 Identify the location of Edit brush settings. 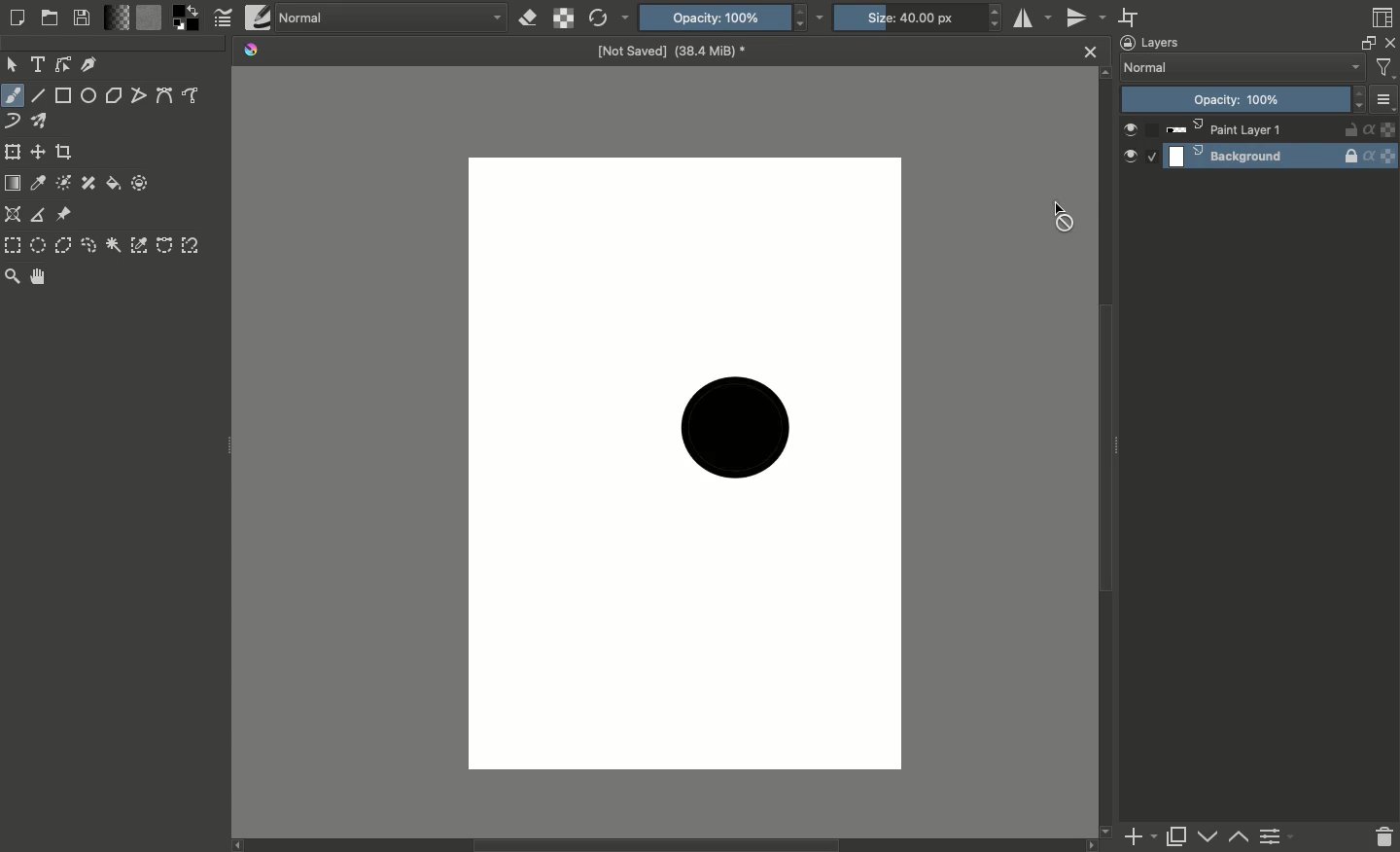
(222, 18).